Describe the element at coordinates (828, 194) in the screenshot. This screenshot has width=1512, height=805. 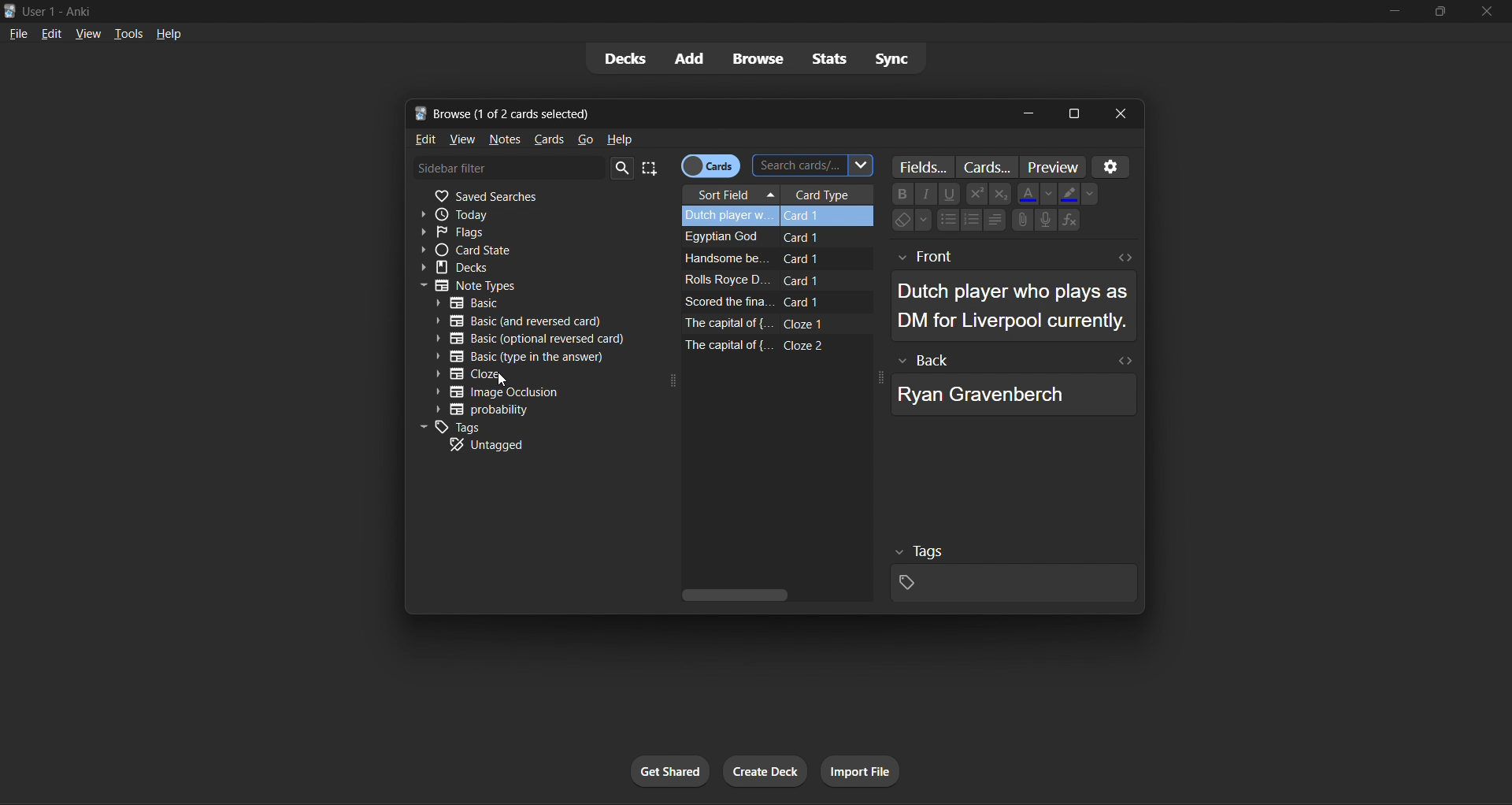
I see `card type column` at that location.